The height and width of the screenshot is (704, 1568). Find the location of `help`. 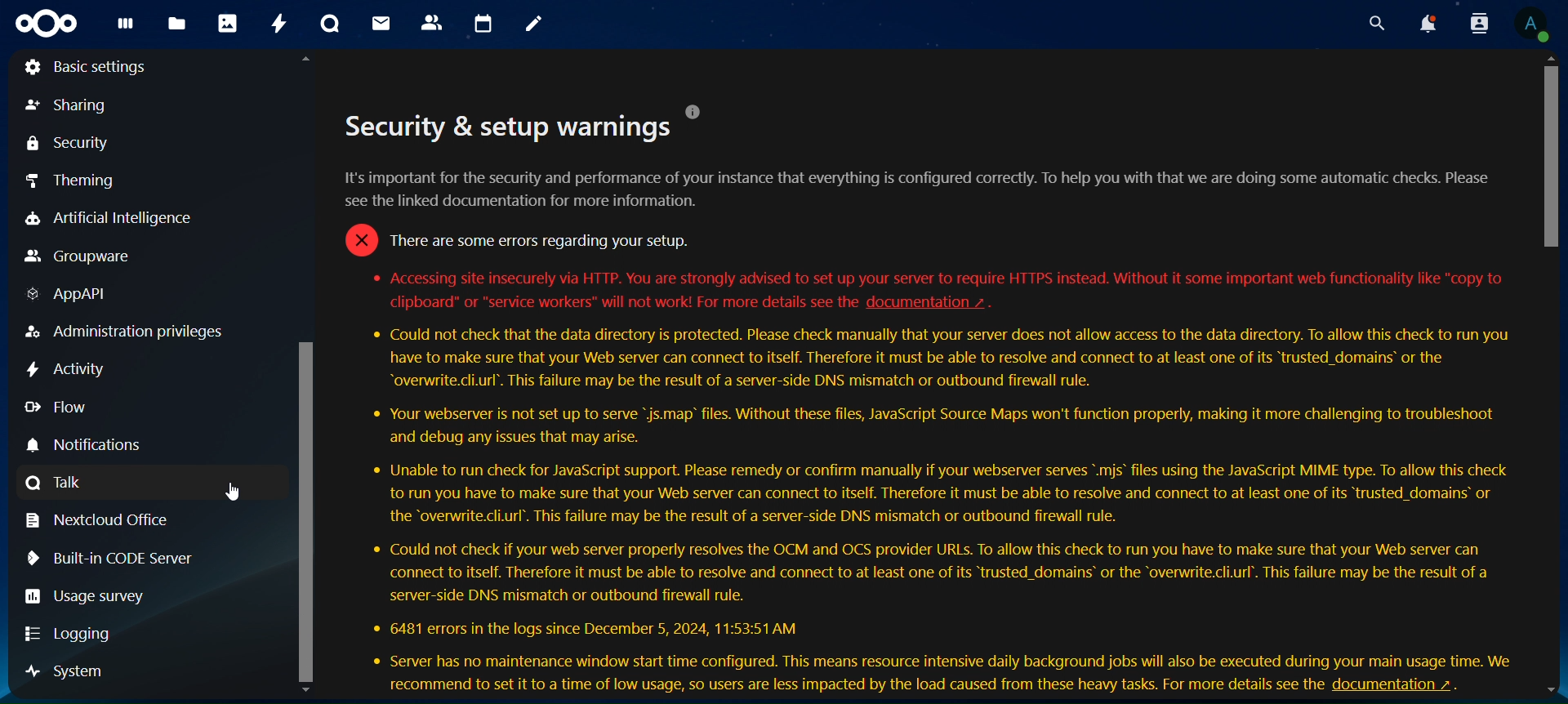

help is located at coordinates (698, 109).